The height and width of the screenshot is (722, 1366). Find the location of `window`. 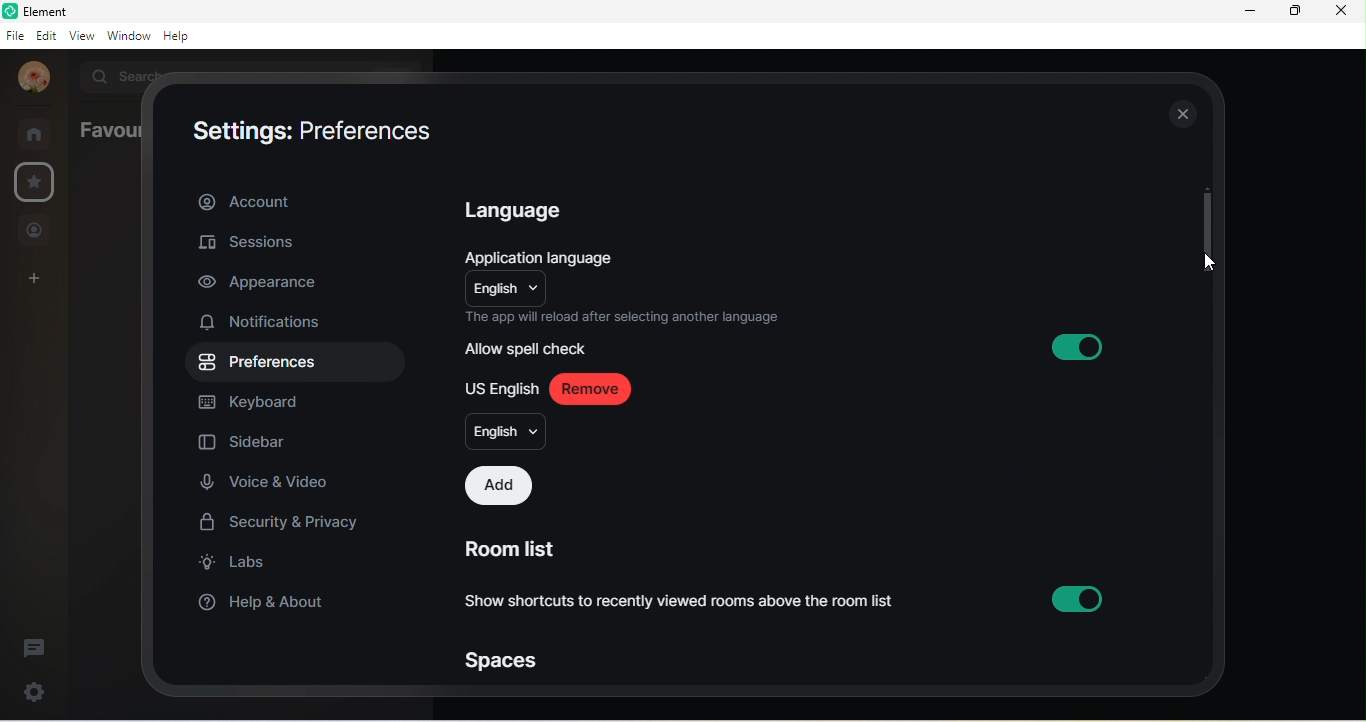

window is located at coordinates (127, 37).